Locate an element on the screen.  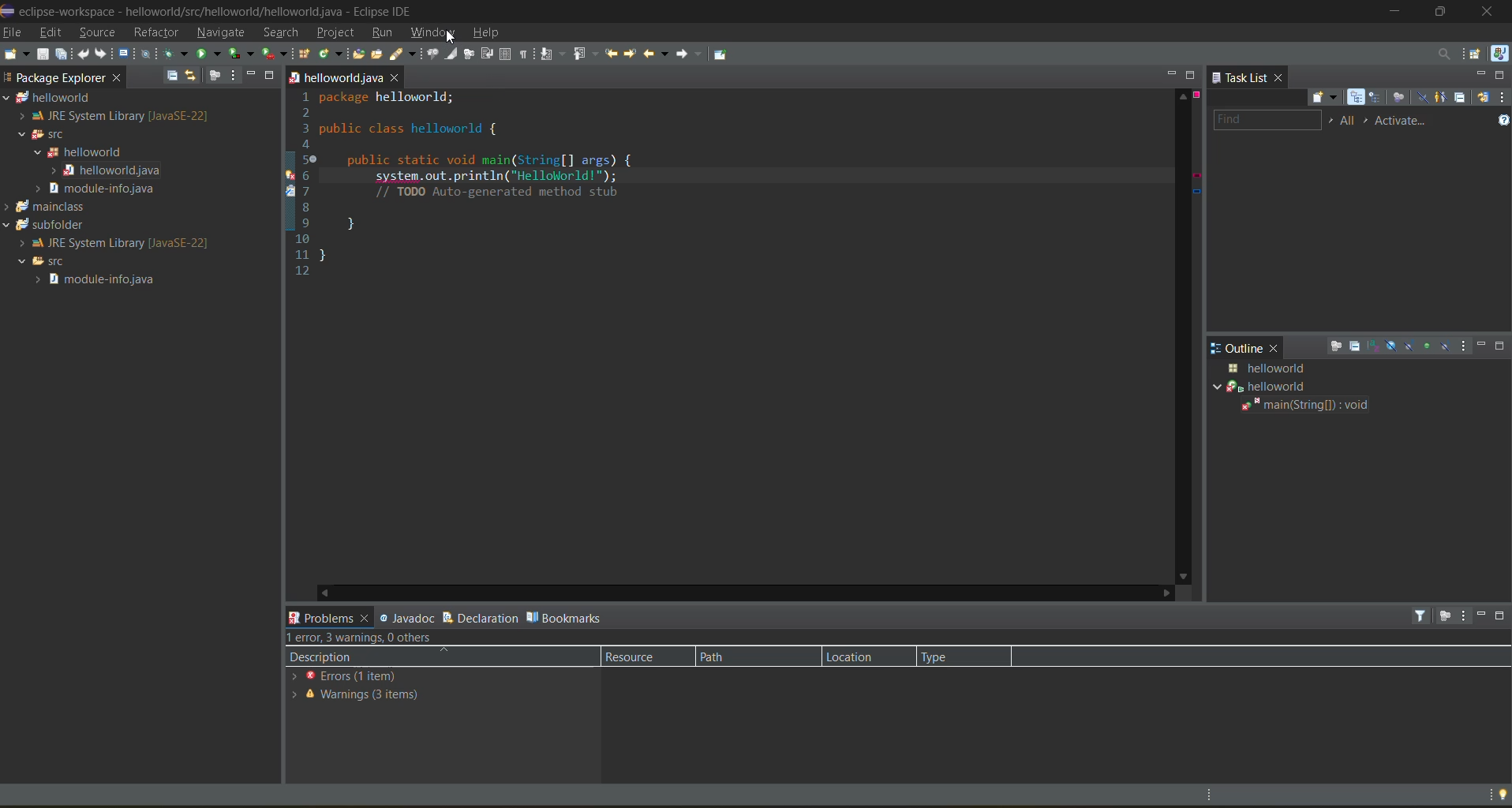
focus on active task is located at coordinates (1450, 614).